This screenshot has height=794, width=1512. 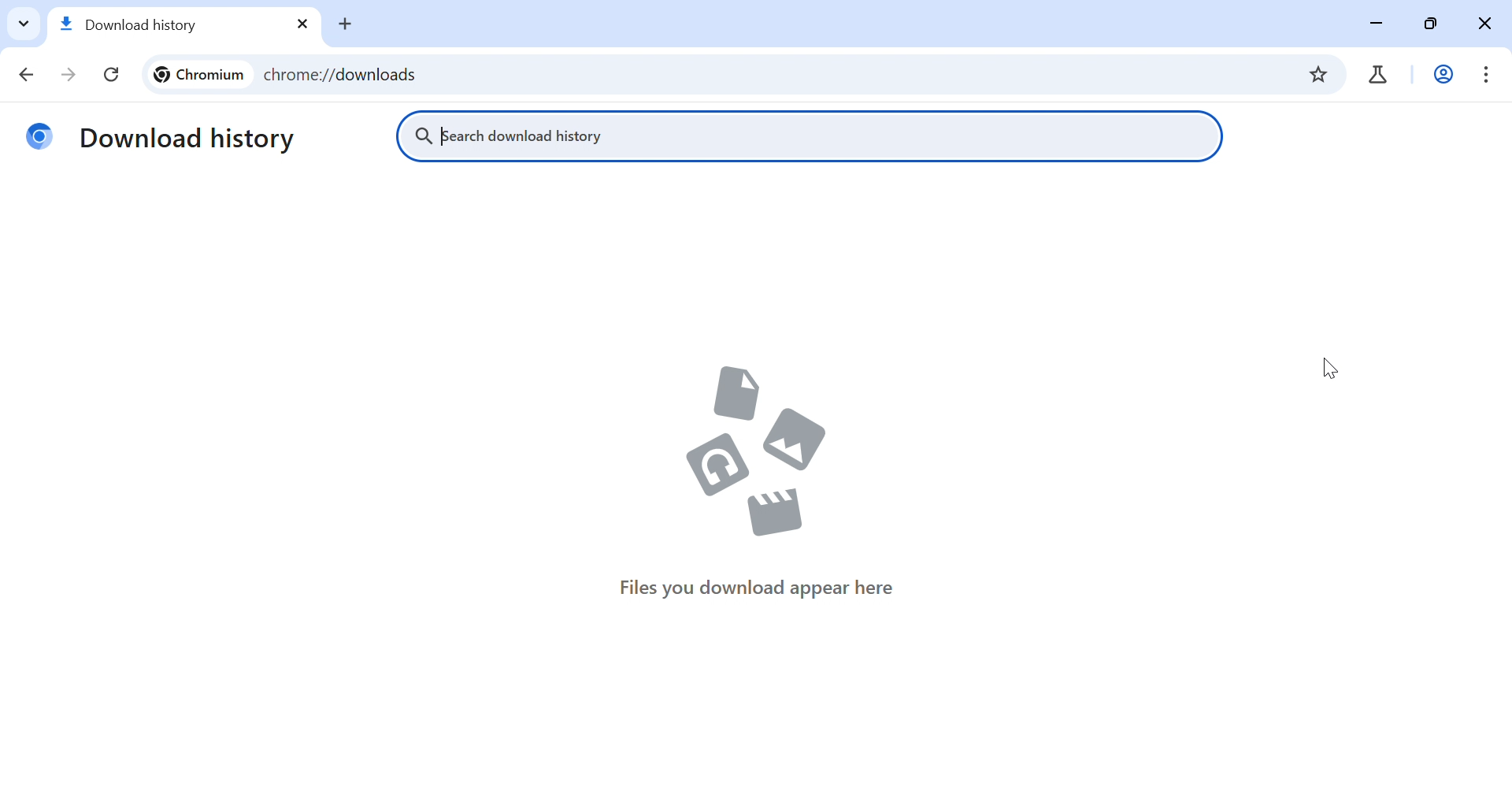 What do you see at coordinates (770, 76) in the screenshot?
I see `chrome//:downloads` at bounding box center [770, 76].